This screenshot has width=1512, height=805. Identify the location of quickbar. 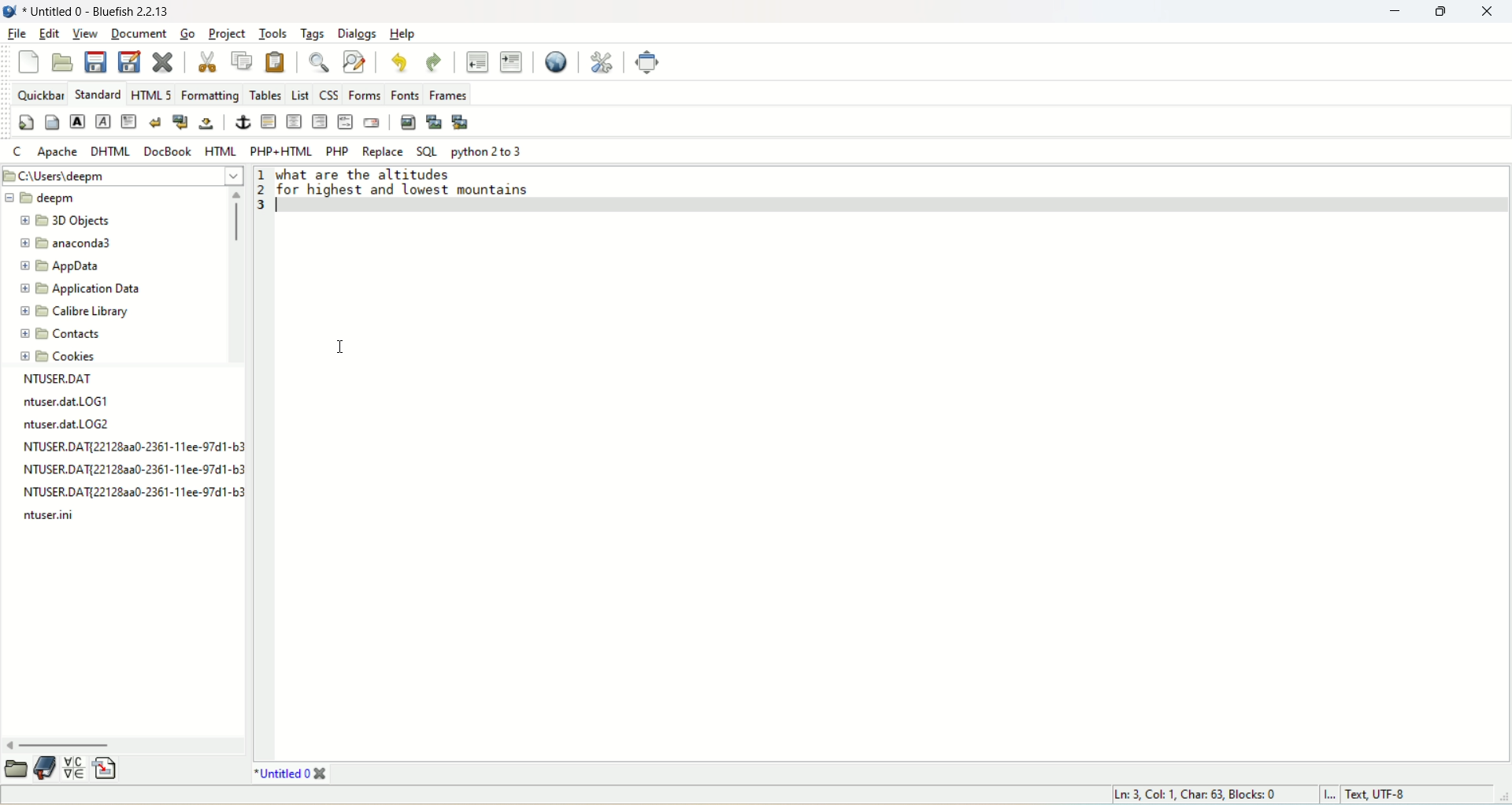
(41, 94).